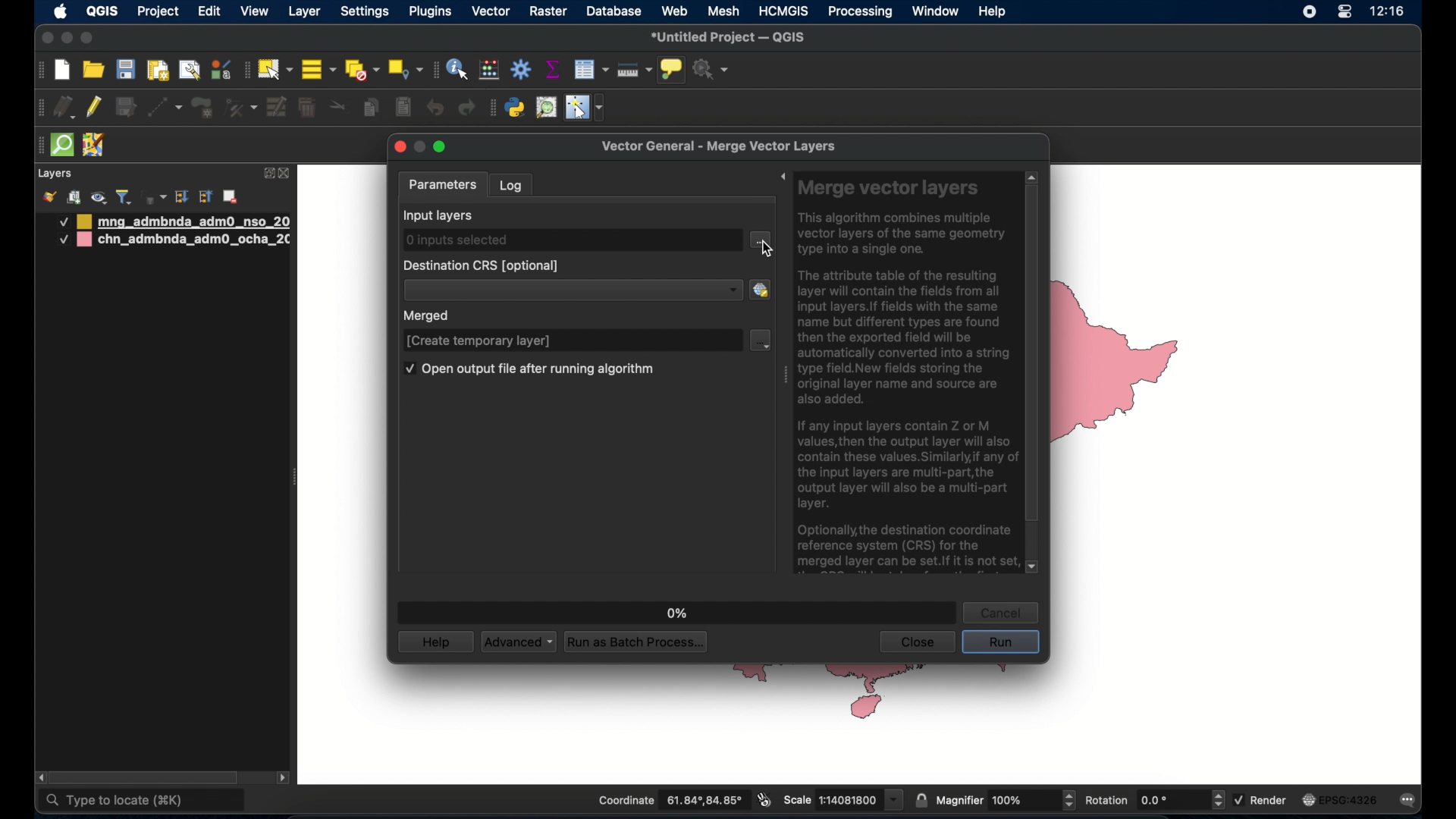  I want to click on minimize, so click(420, 146).